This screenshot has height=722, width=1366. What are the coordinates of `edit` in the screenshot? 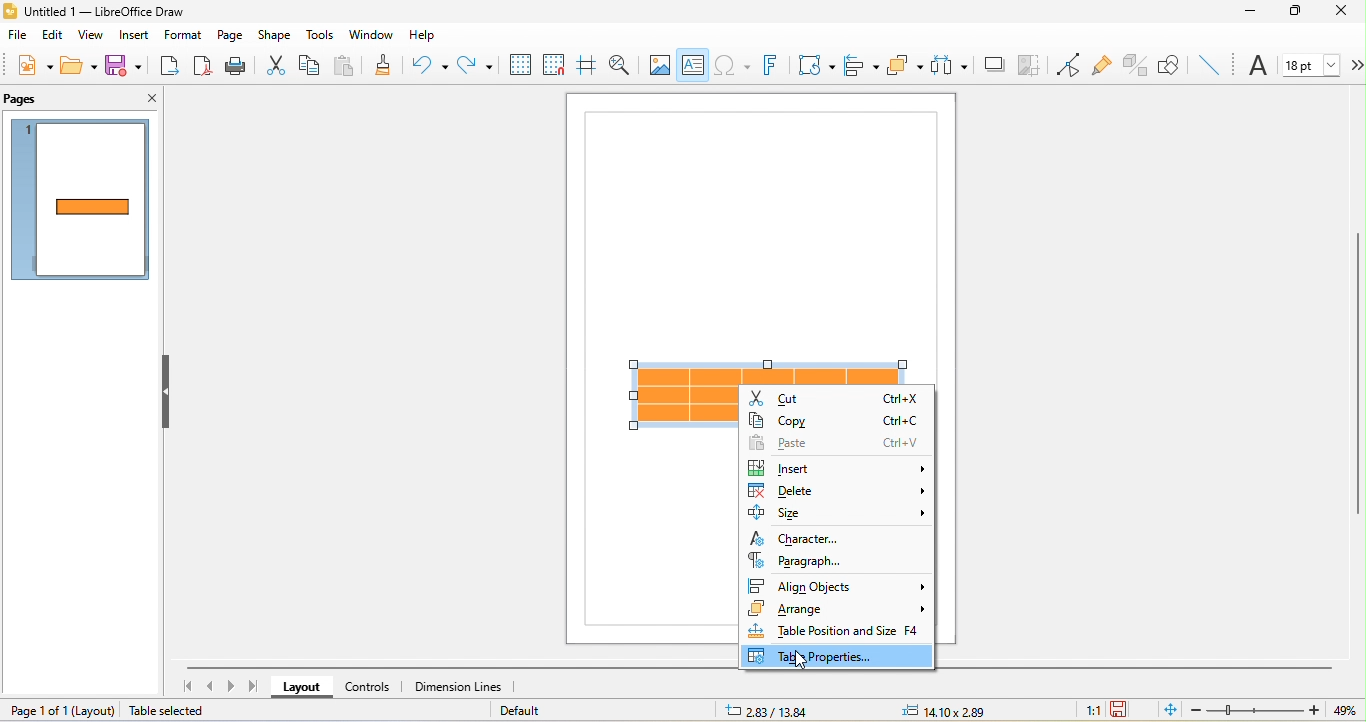 It's located at (51, 34).